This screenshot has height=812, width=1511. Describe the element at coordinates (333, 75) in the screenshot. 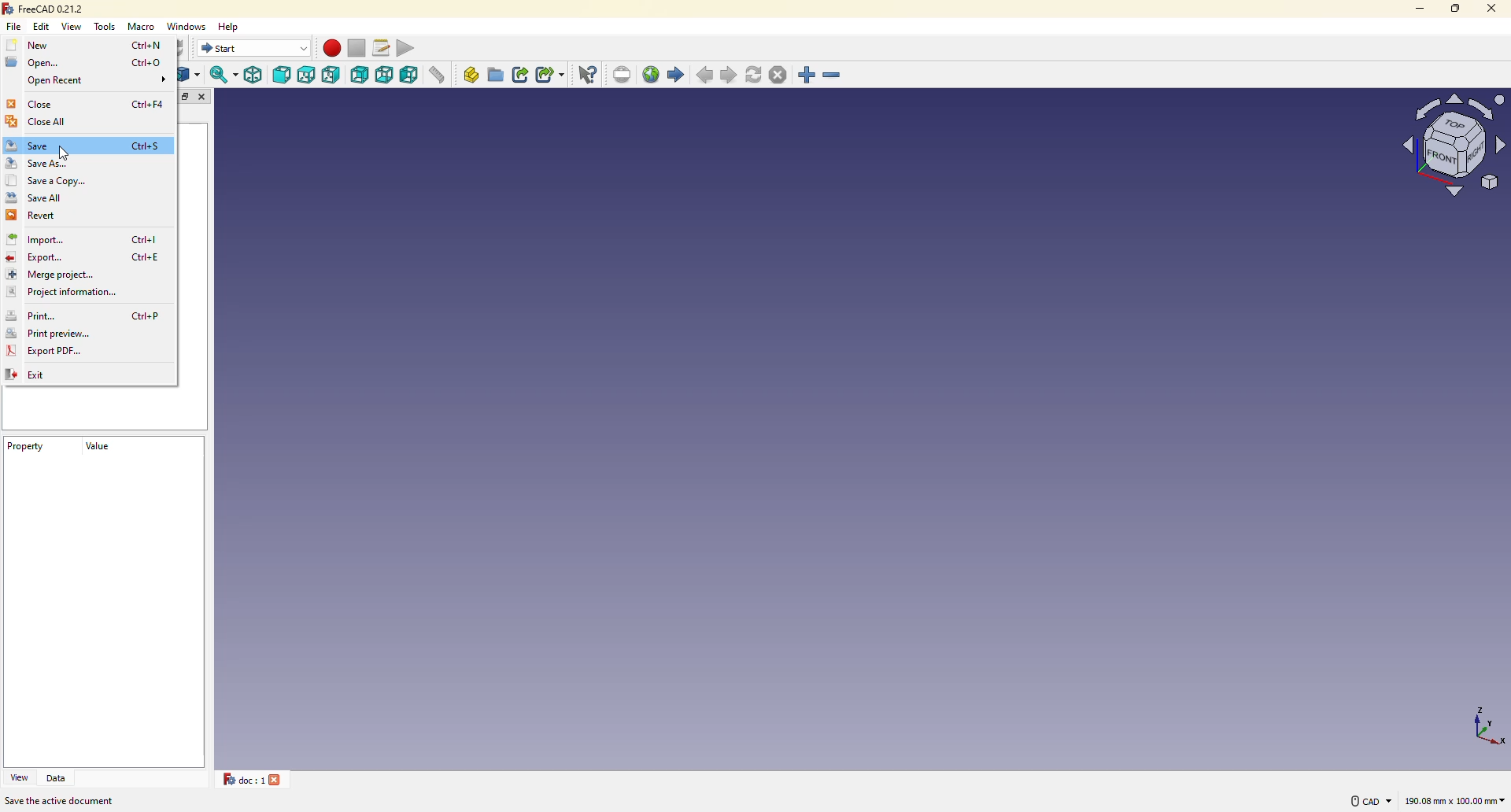

I see `right` at that location.